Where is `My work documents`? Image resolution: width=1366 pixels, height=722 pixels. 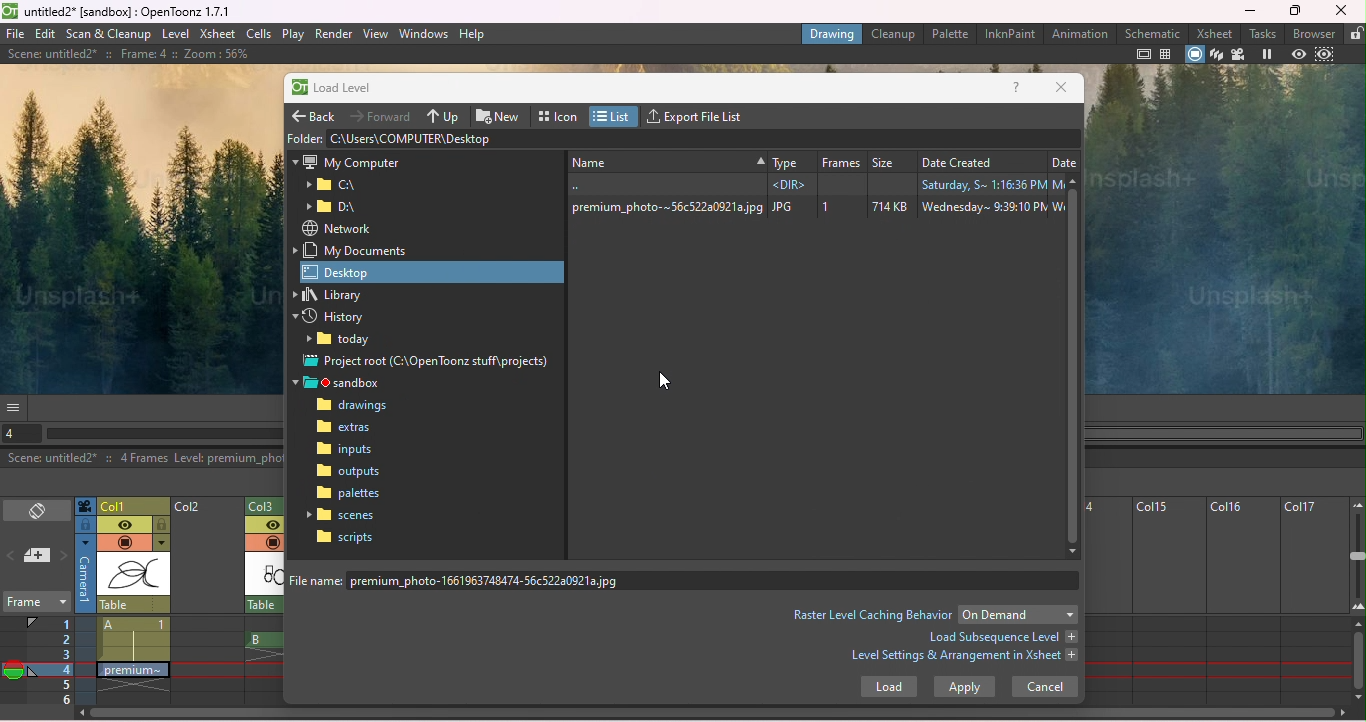 My work documents is located at coordinates (356, 250).